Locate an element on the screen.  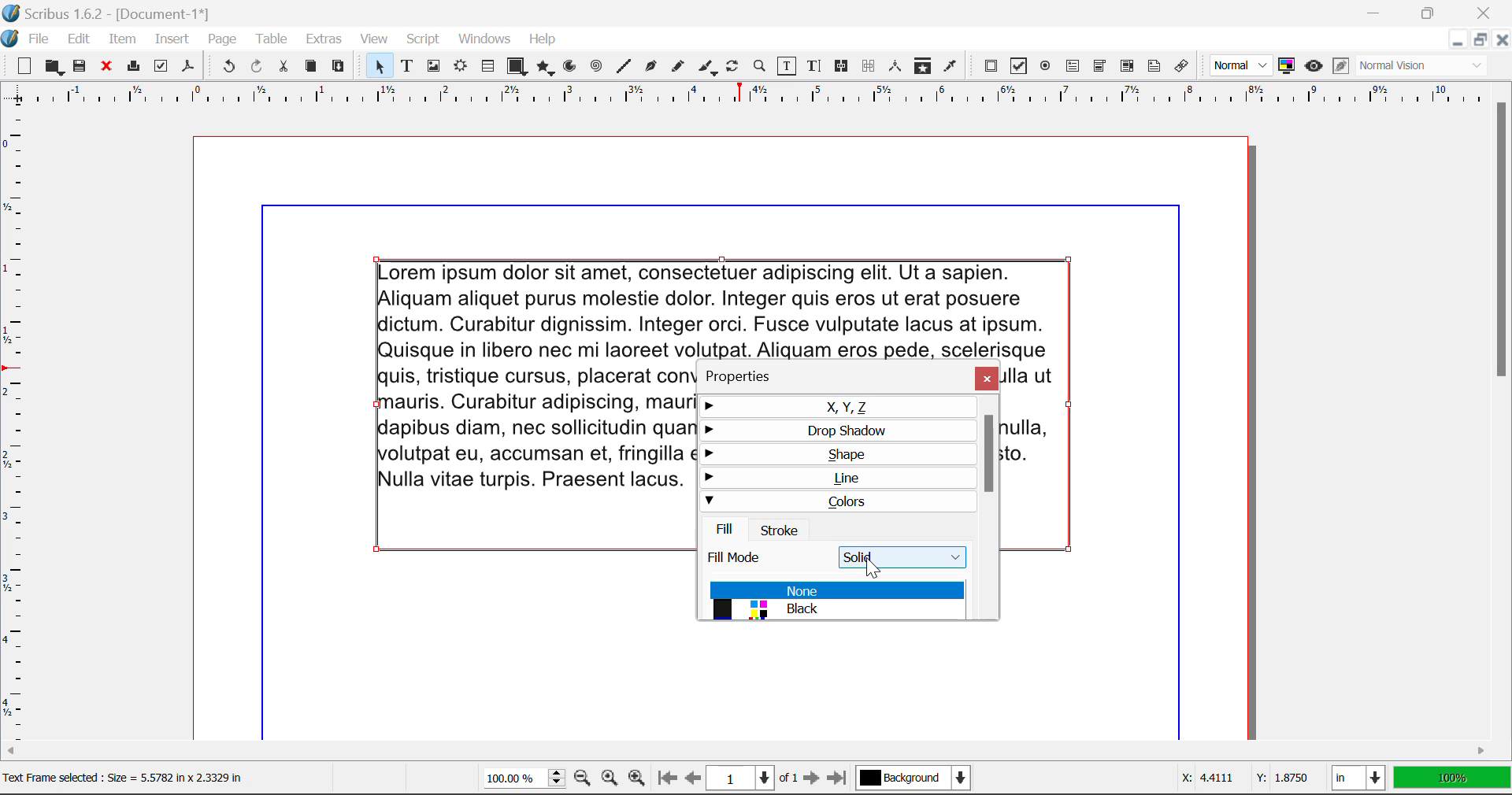
Edit Contents of Frame is located at coordinates (787, 68).